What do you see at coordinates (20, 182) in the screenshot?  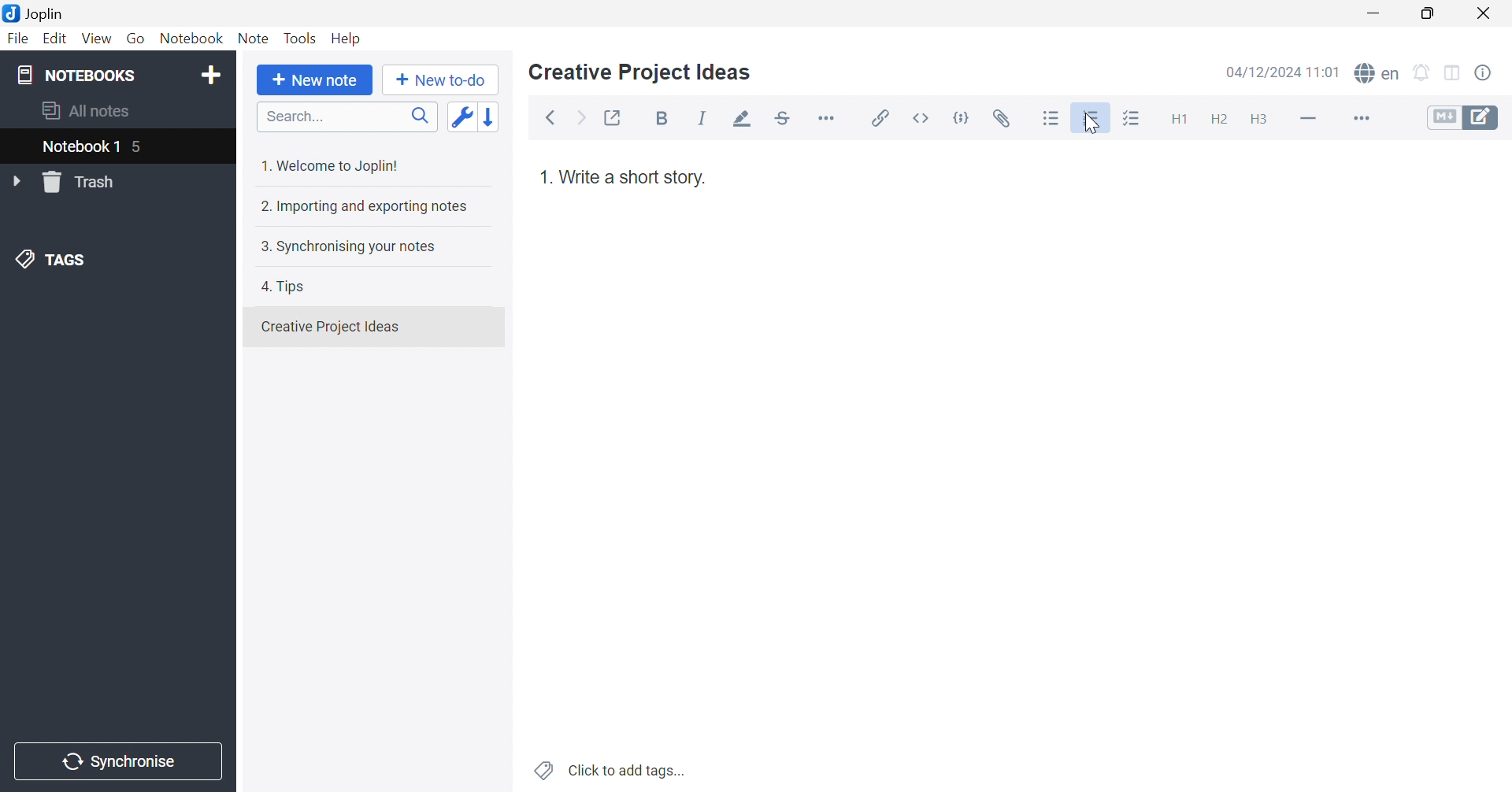 I see `Drop Down` at bounding box center [20, 182].